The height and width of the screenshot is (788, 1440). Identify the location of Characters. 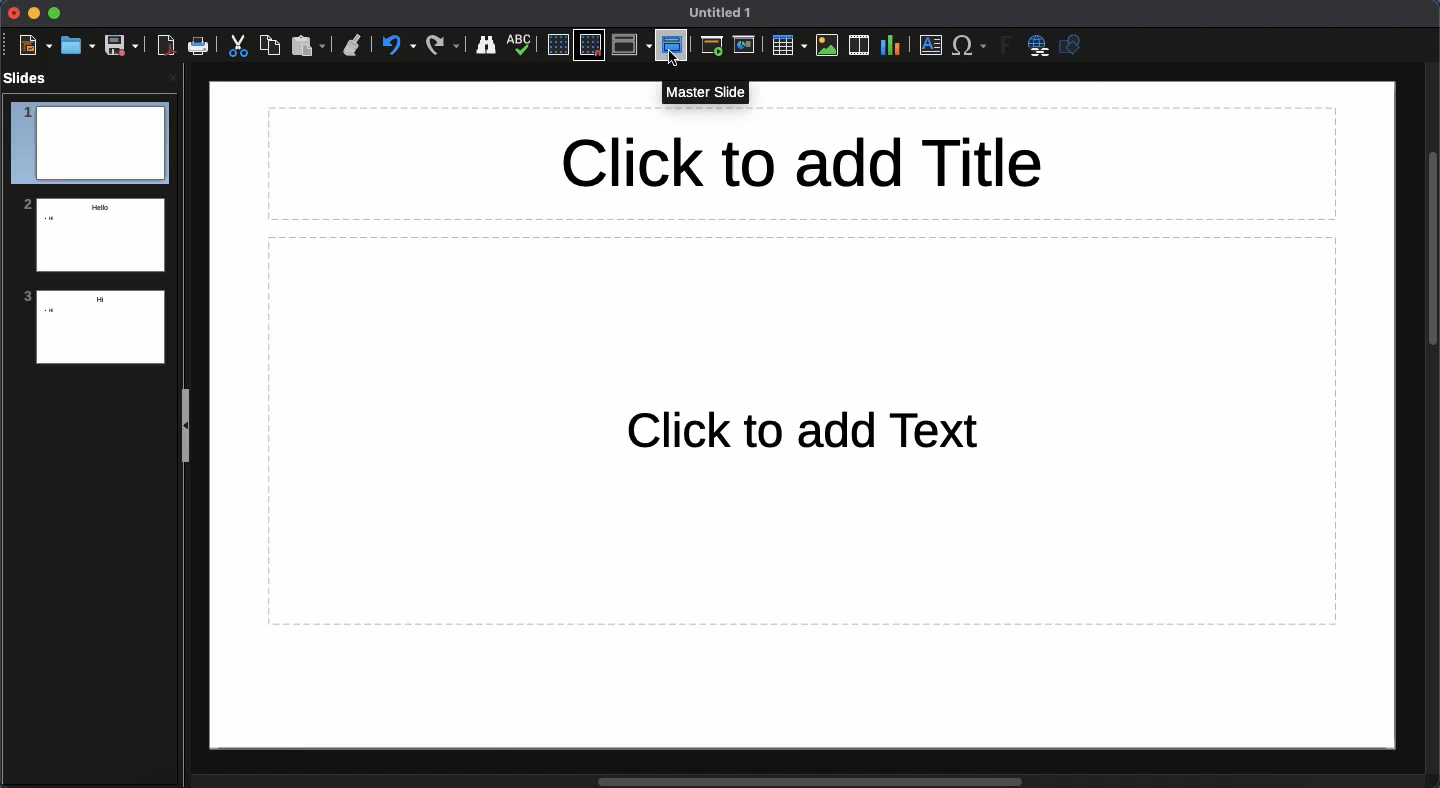
(971, 47).